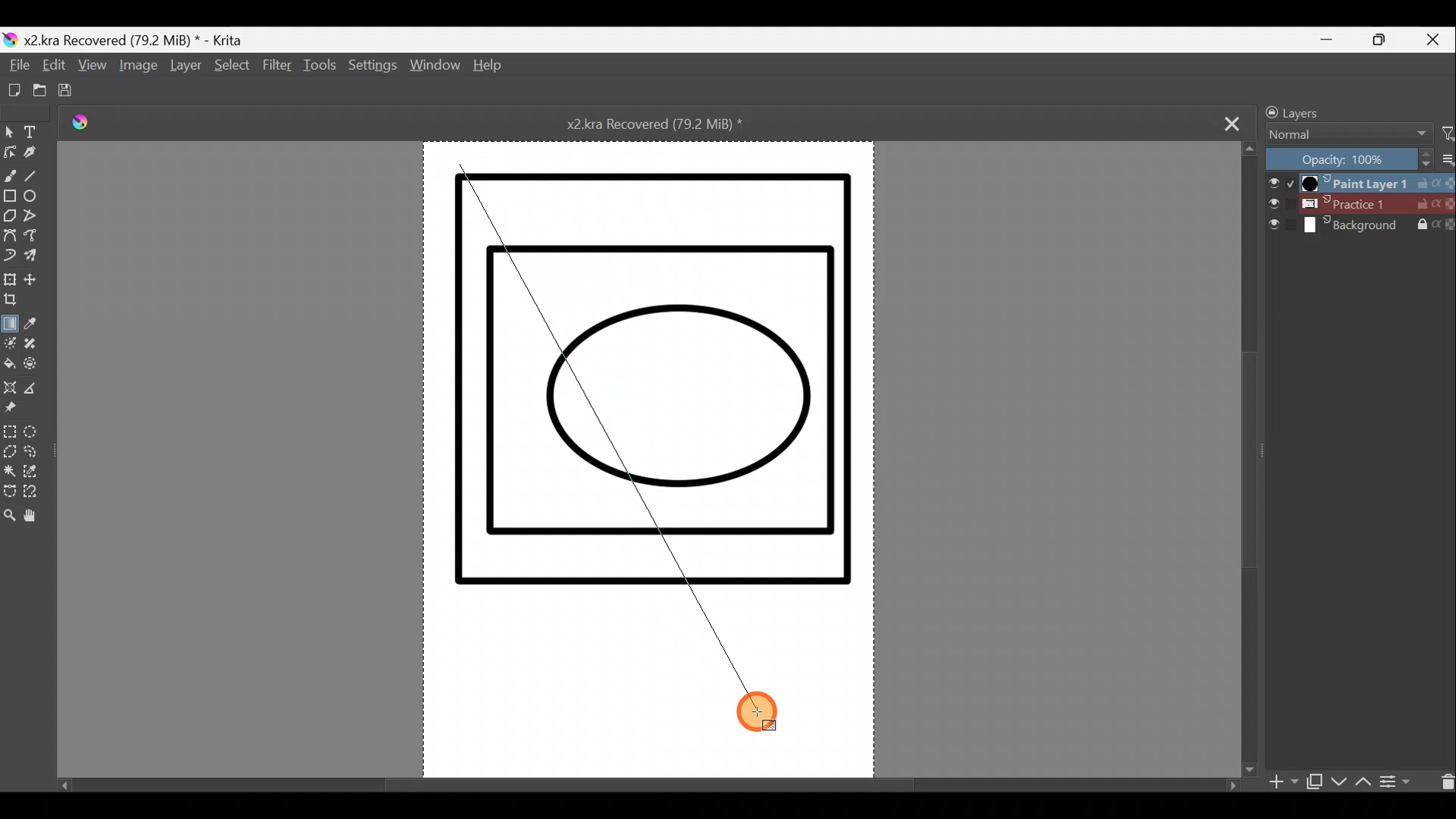  I want to click on Window, so click(435, 68).